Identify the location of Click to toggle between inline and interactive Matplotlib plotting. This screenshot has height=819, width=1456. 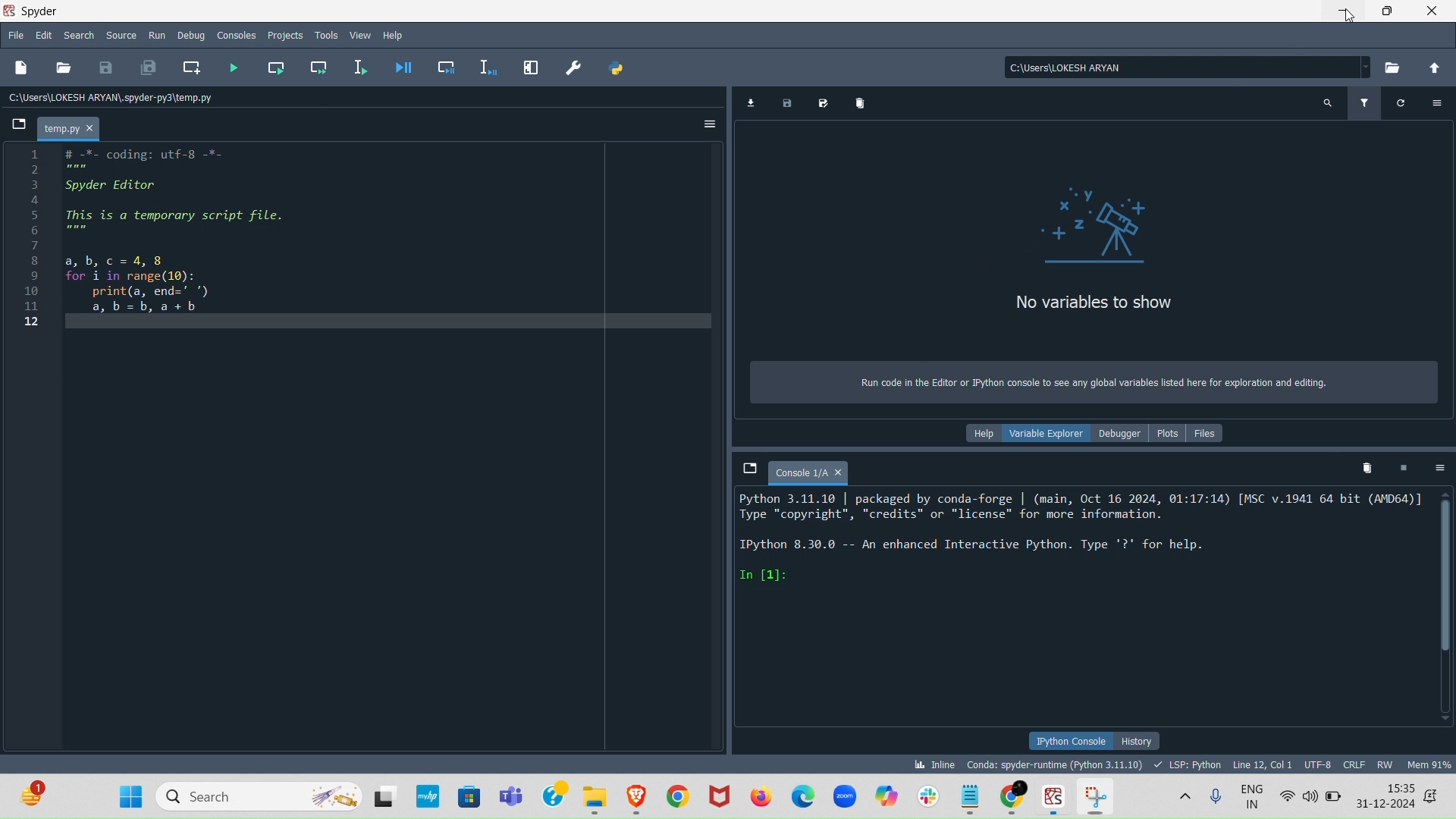
(931, 761).